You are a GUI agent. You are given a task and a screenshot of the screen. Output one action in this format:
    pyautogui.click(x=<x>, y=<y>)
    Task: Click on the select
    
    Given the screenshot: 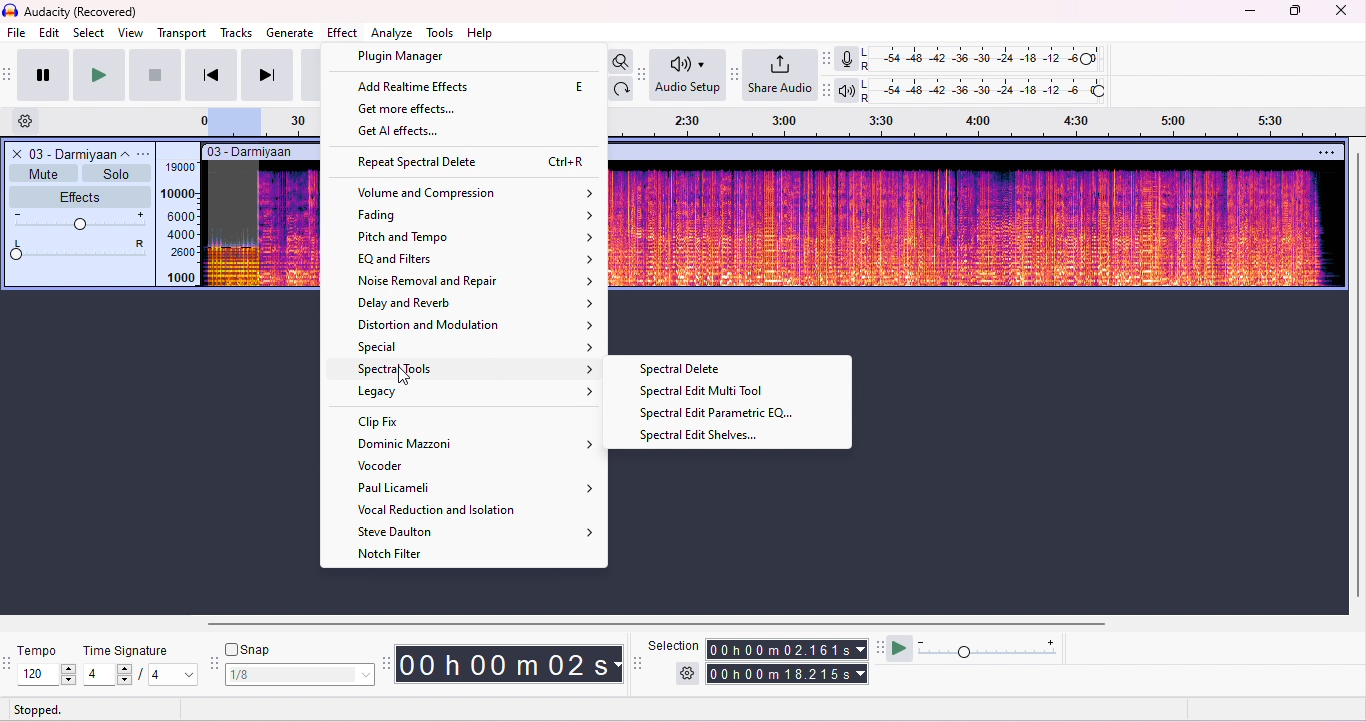 What is the action you would take?
    pyautogui.click(x=91, y=34)
    